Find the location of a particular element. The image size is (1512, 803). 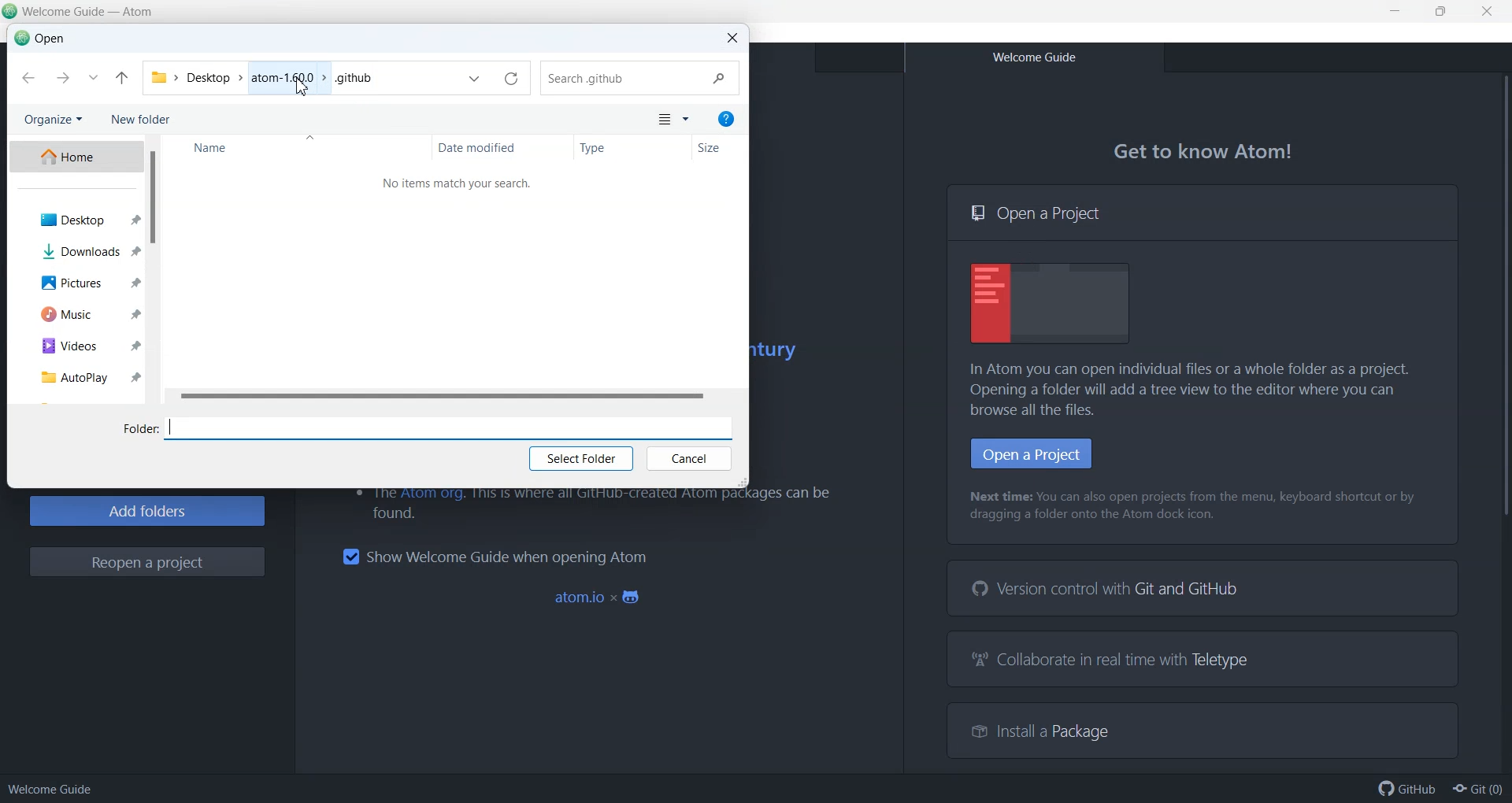

The Atom org. This is where all GitHub-created Atom packages can be found. is located at coordinates (587, 505).